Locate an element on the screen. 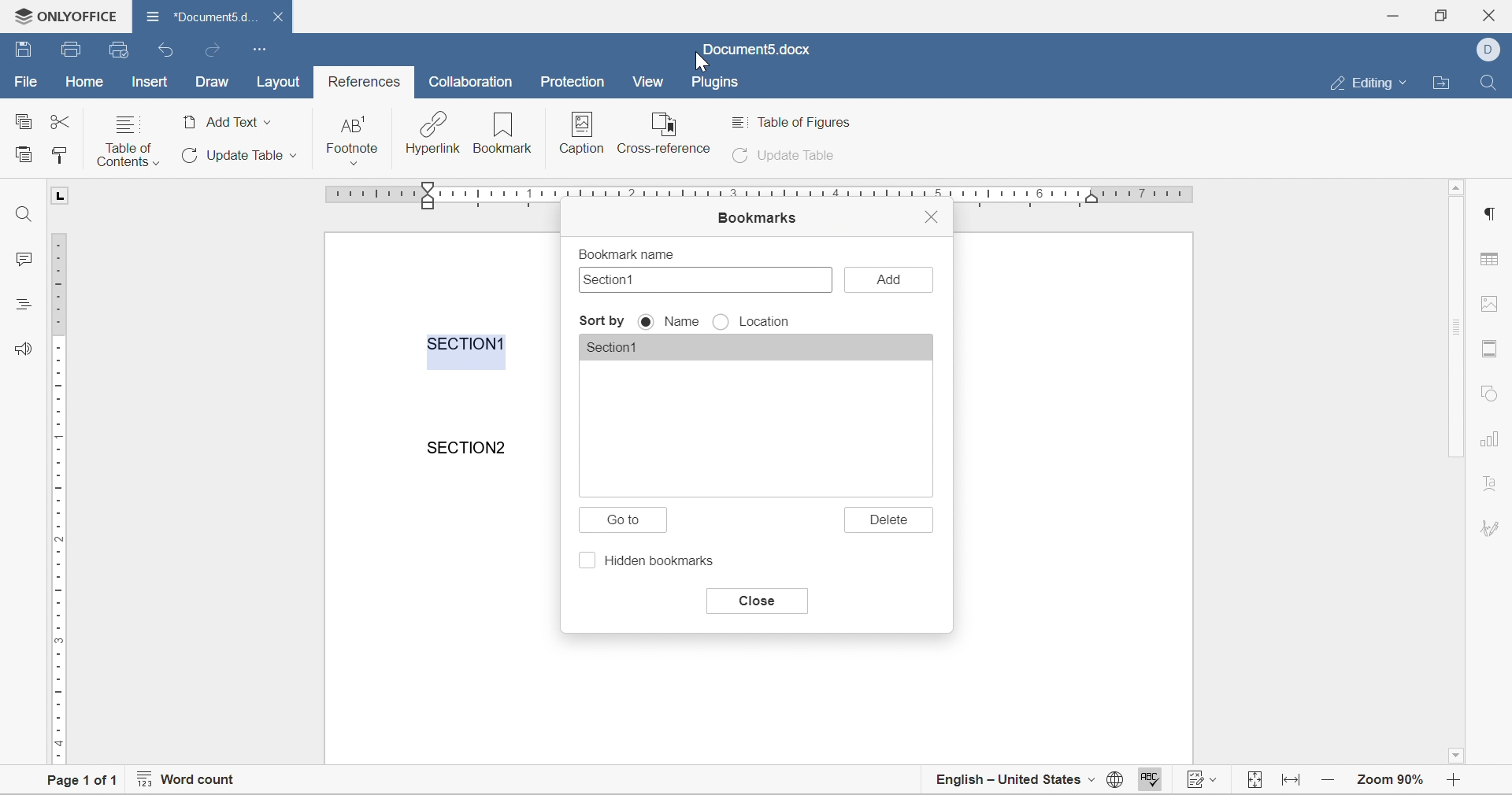 The width and height of the screenshot is (1512, 795). track changes is located at coordinates (1205, 782).